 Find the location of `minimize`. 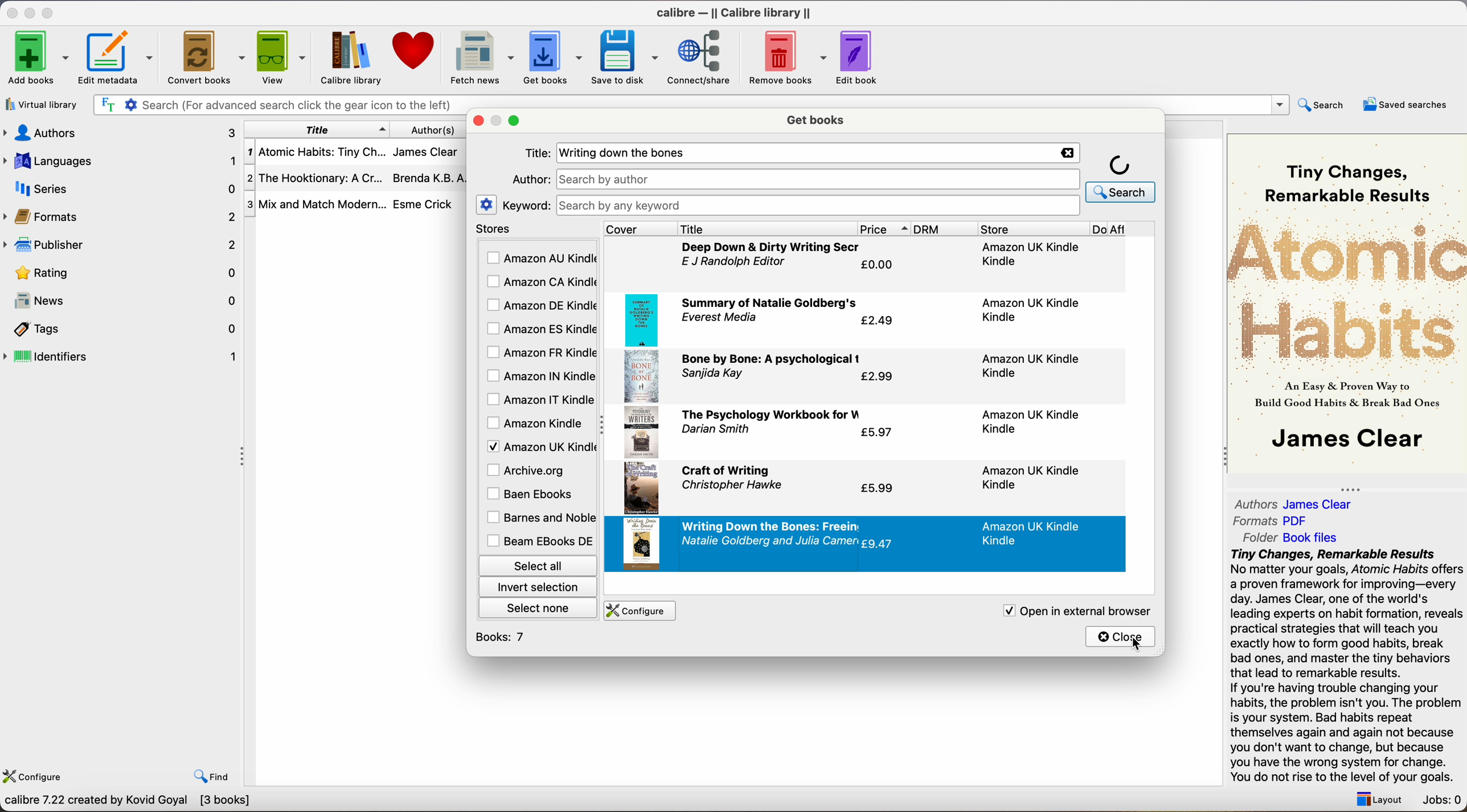

minimize is located at coordinates (32, 12).